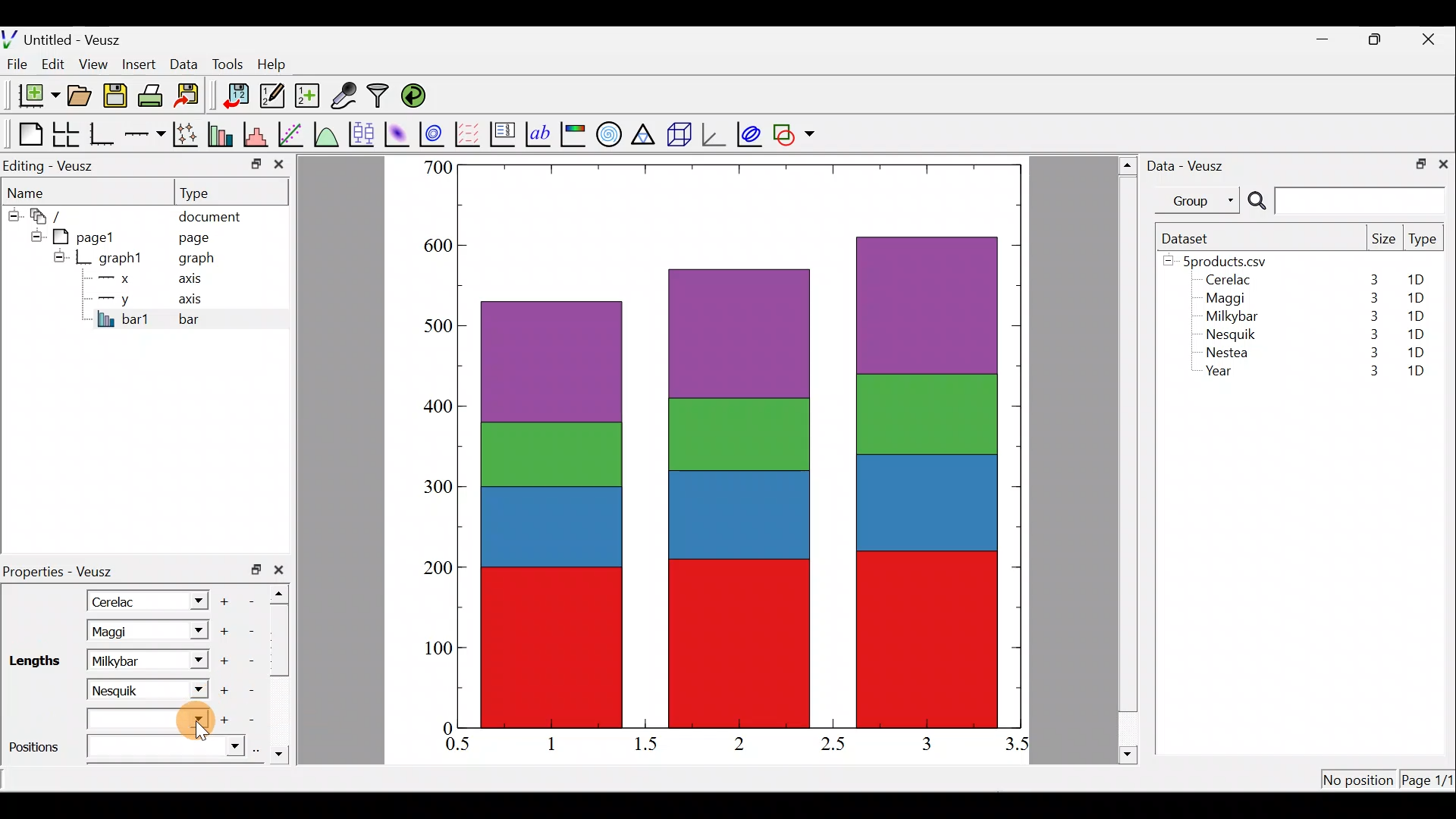 This screenshot has height=819, width=1456. What do you see at coordinates (256, 720) in the screenshot?
I see `Remove item` at bounding box center [256, 720].